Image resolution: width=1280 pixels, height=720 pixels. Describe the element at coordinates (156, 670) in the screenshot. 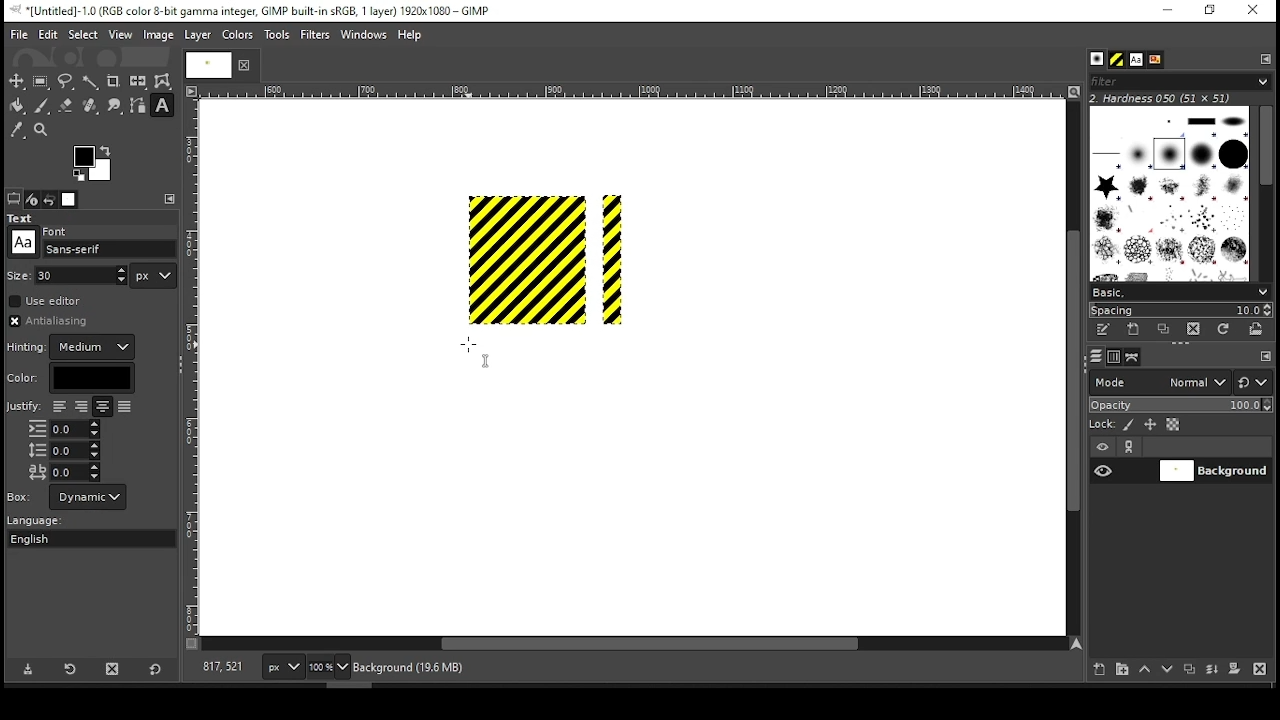

I see `reset to defaults` at that location.